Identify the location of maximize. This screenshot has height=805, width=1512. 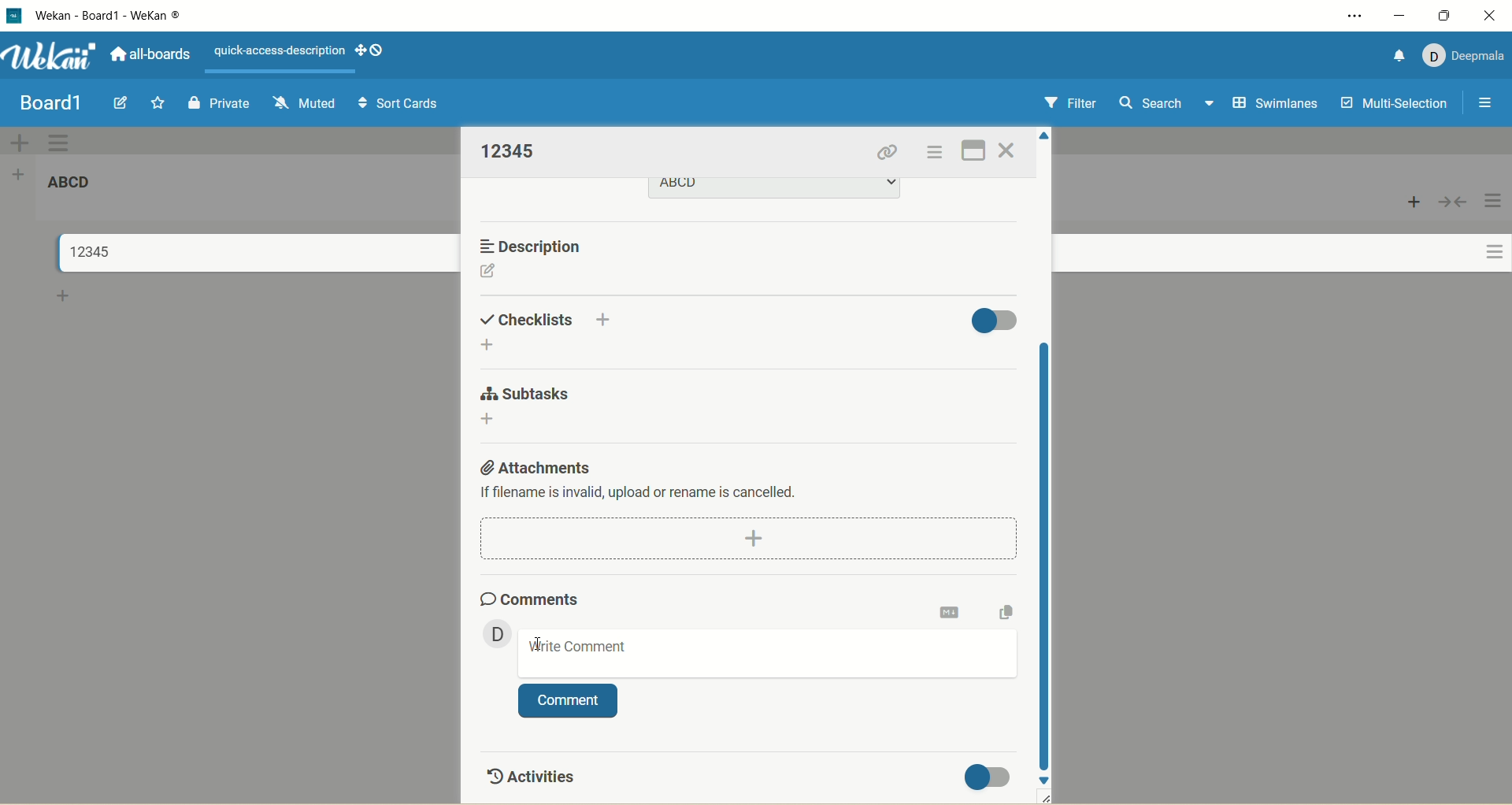
(1447, 15).